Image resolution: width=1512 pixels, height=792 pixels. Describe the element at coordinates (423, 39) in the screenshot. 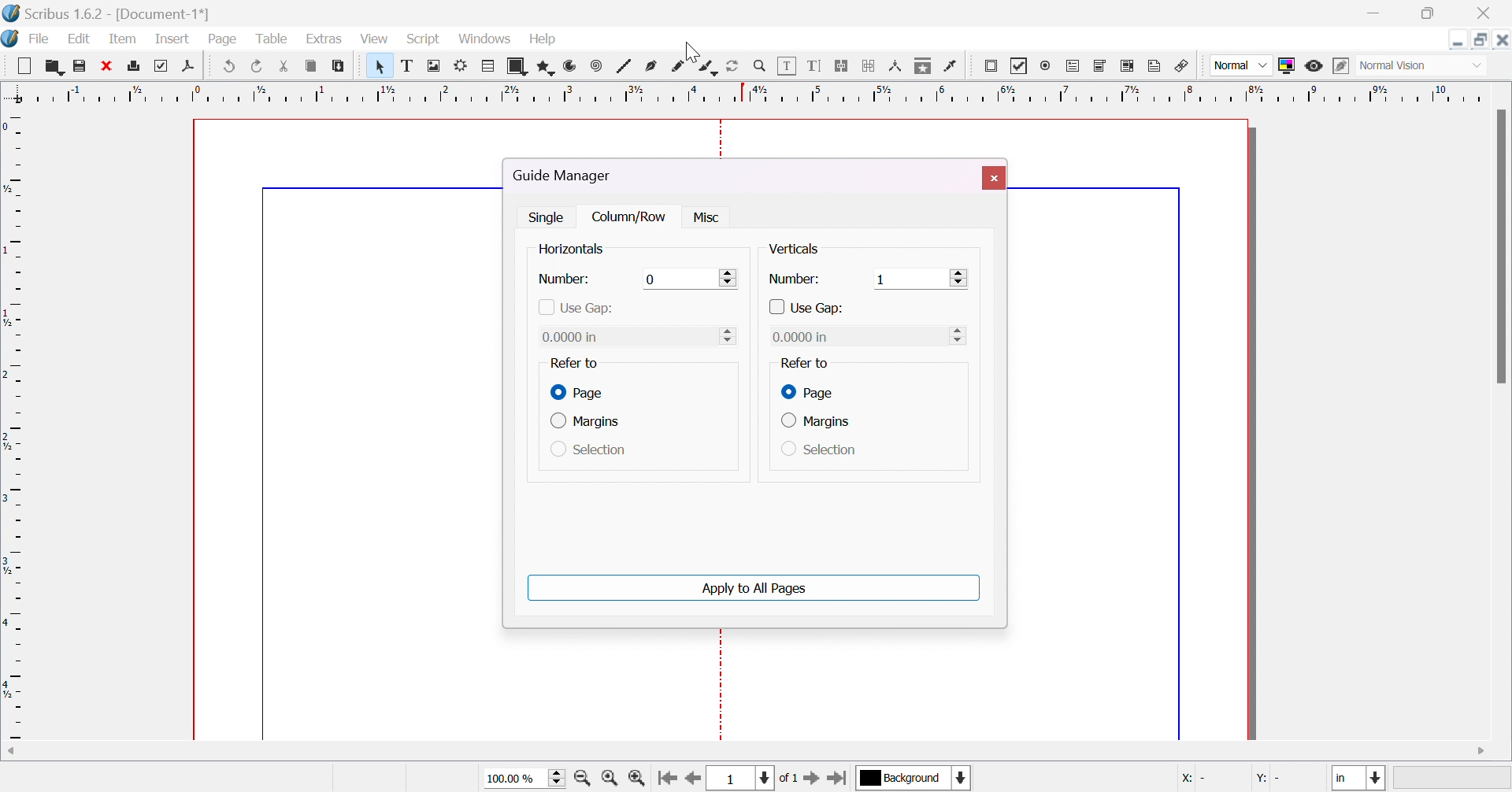

I see `script` at that location.